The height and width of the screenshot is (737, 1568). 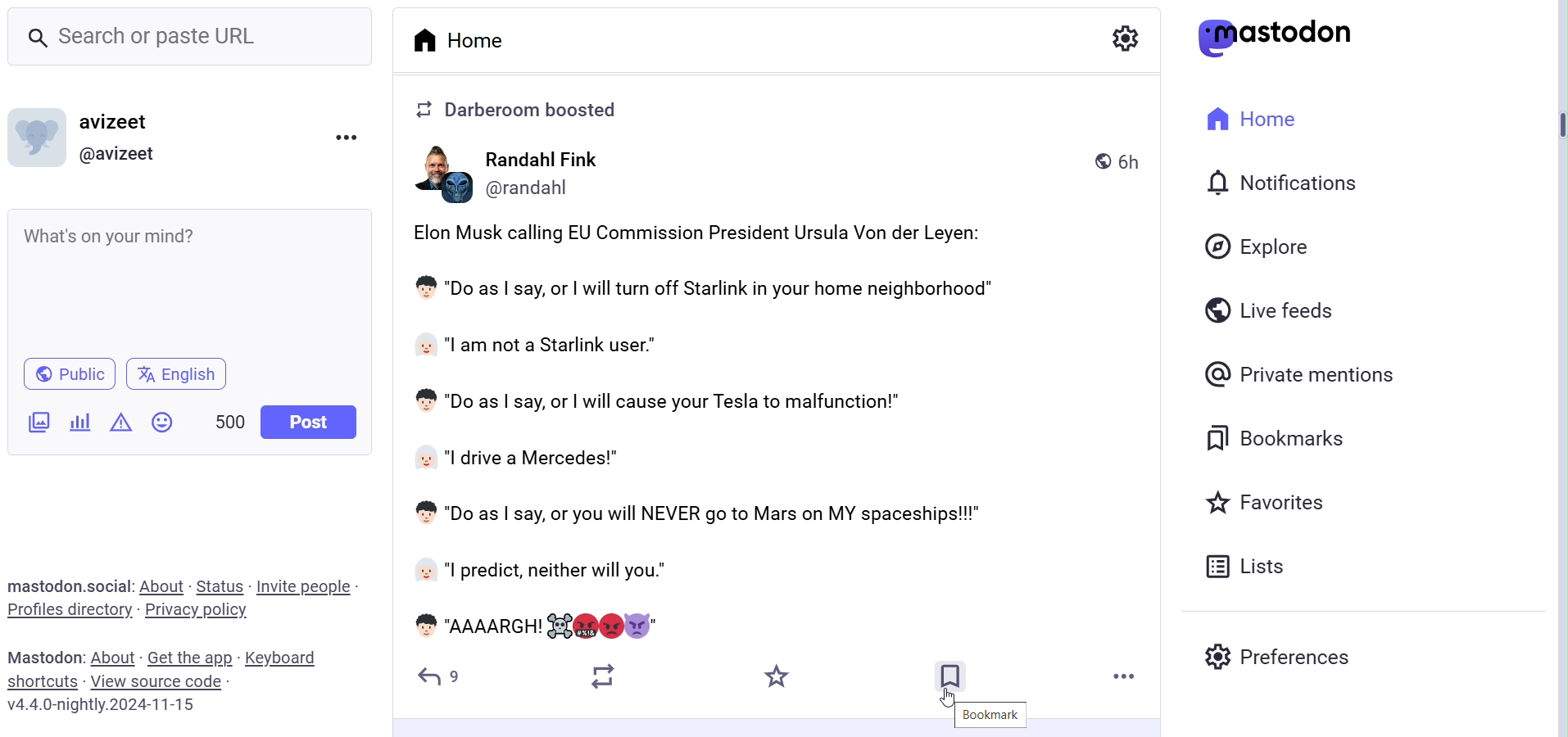 What do you see at coordinates (723, 292) in the screenshot?
I see `"Do as | say, or | will turn off Starlink in your home neighborhood"` at bounding box center [723, 292].